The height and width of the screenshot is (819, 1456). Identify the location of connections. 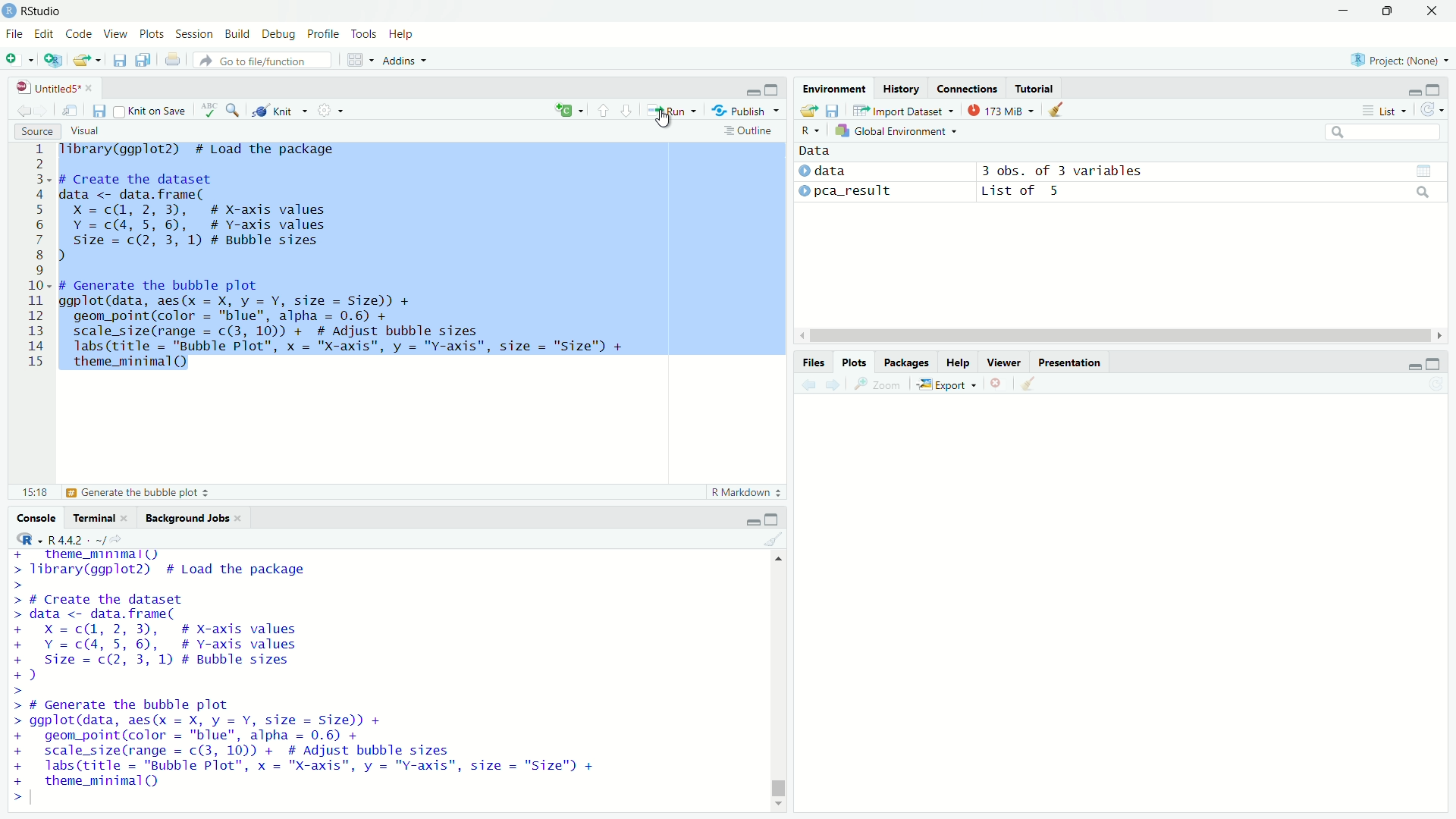
(967, 88).